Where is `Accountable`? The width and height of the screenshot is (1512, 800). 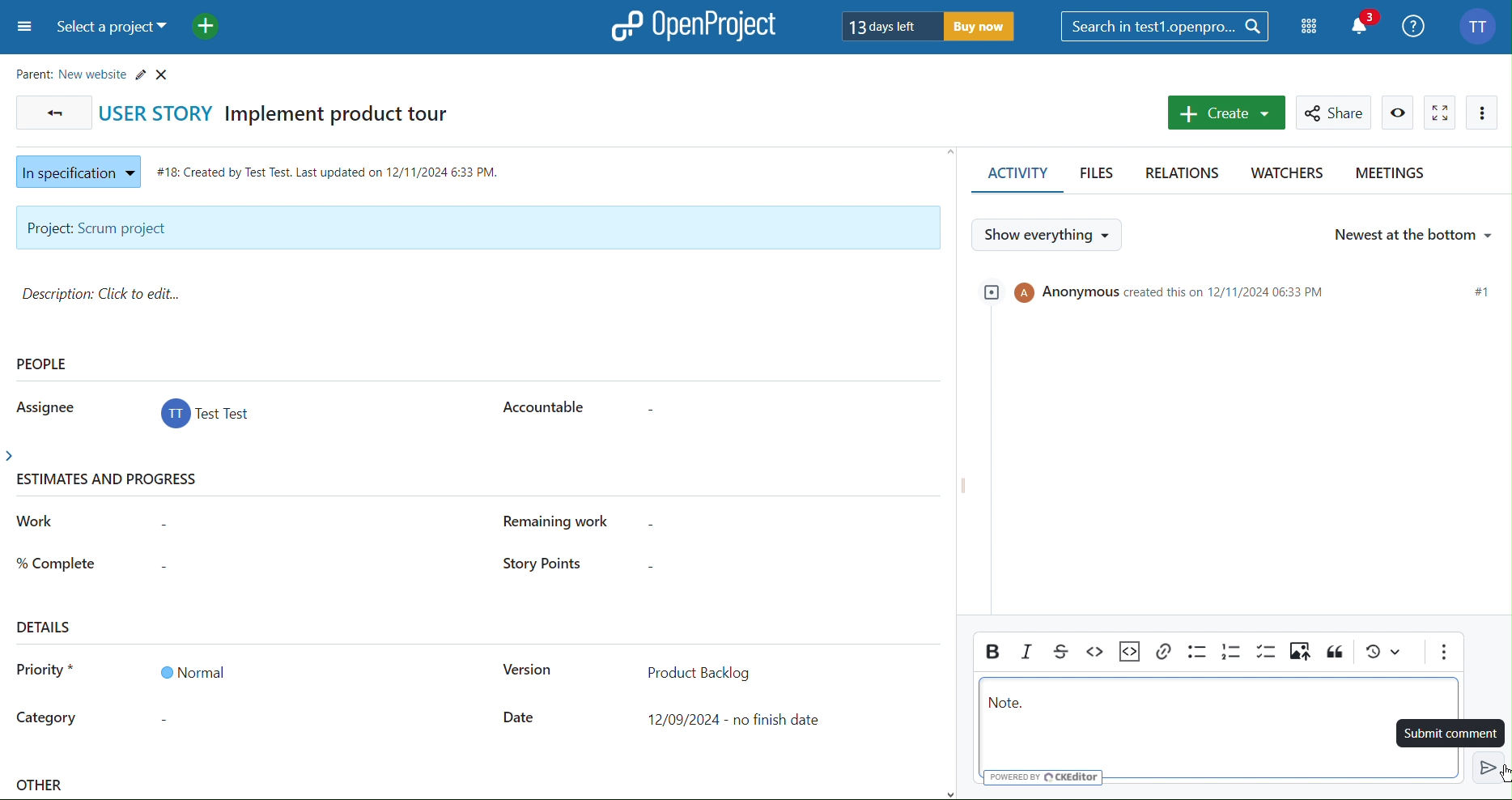
Accountable is located at coordinates (541, 405).